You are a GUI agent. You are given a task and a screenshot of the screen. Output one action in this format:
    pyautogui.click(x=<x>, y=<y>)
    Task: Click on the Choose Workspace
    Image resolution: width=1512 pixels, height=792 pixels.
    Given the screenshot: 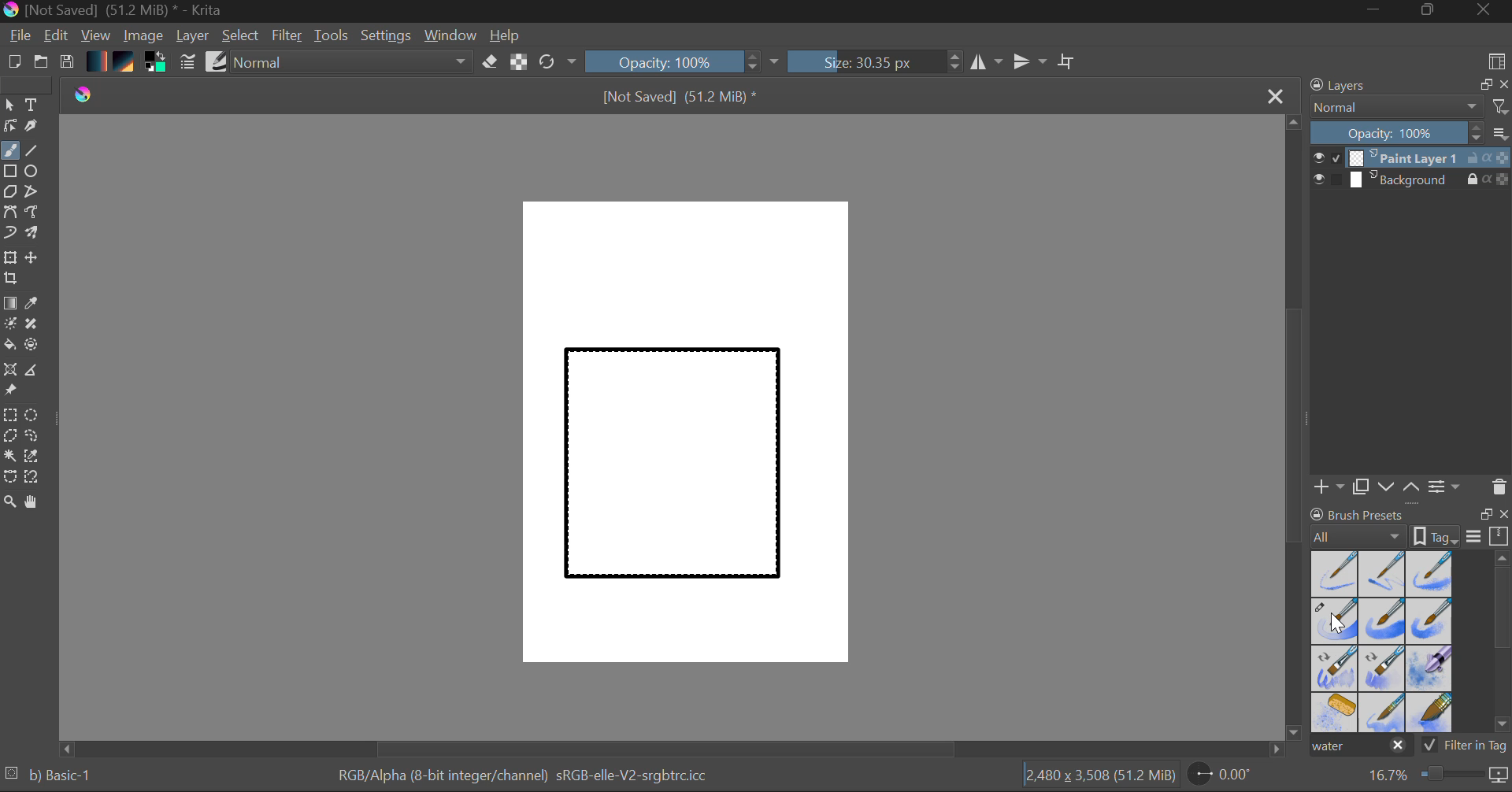 What is the action you would take?
    pyautogui.click(x=1496, y=60)
    